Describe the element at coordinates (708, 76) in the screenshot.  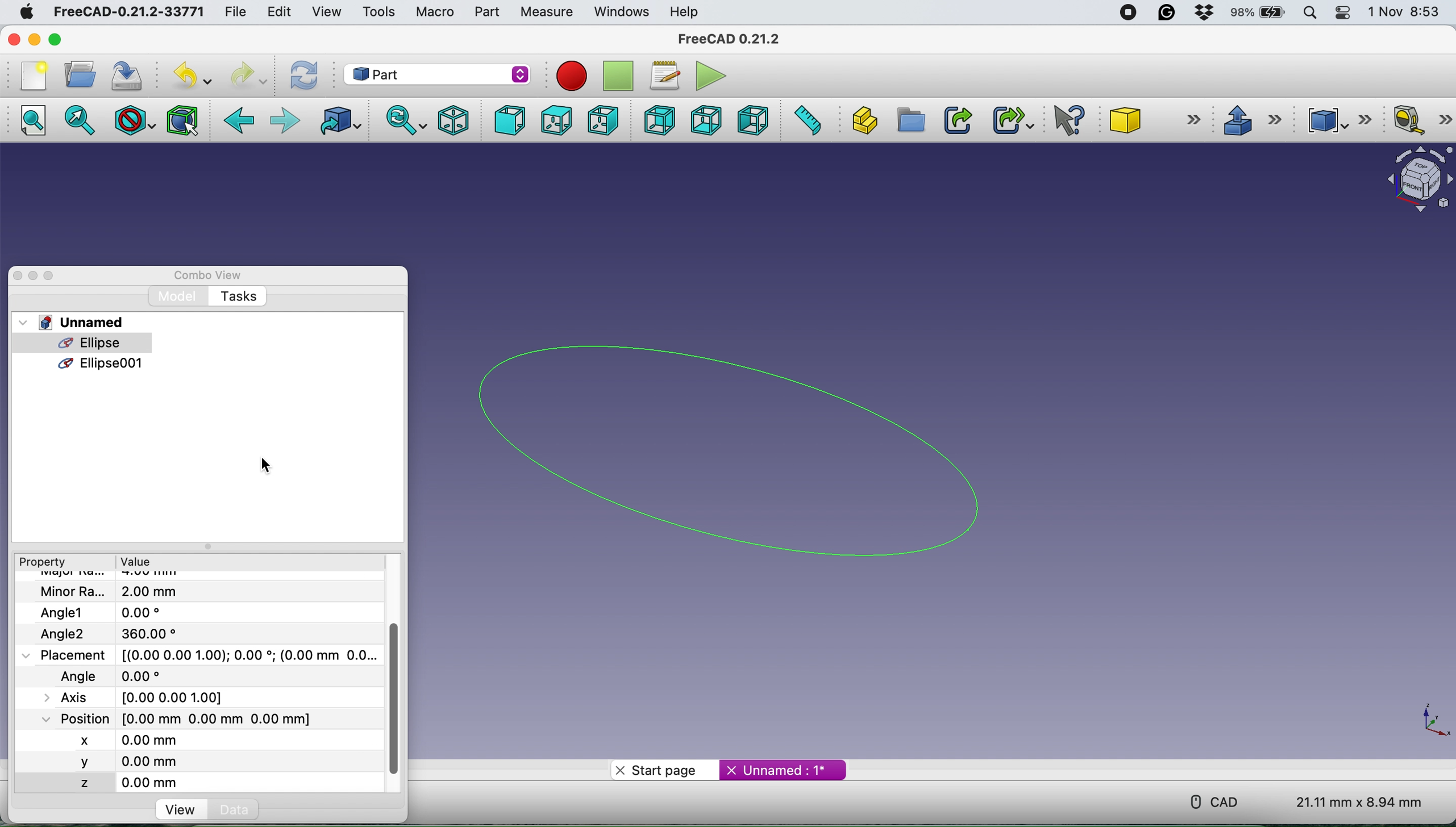
I see `execute macros` at that location.